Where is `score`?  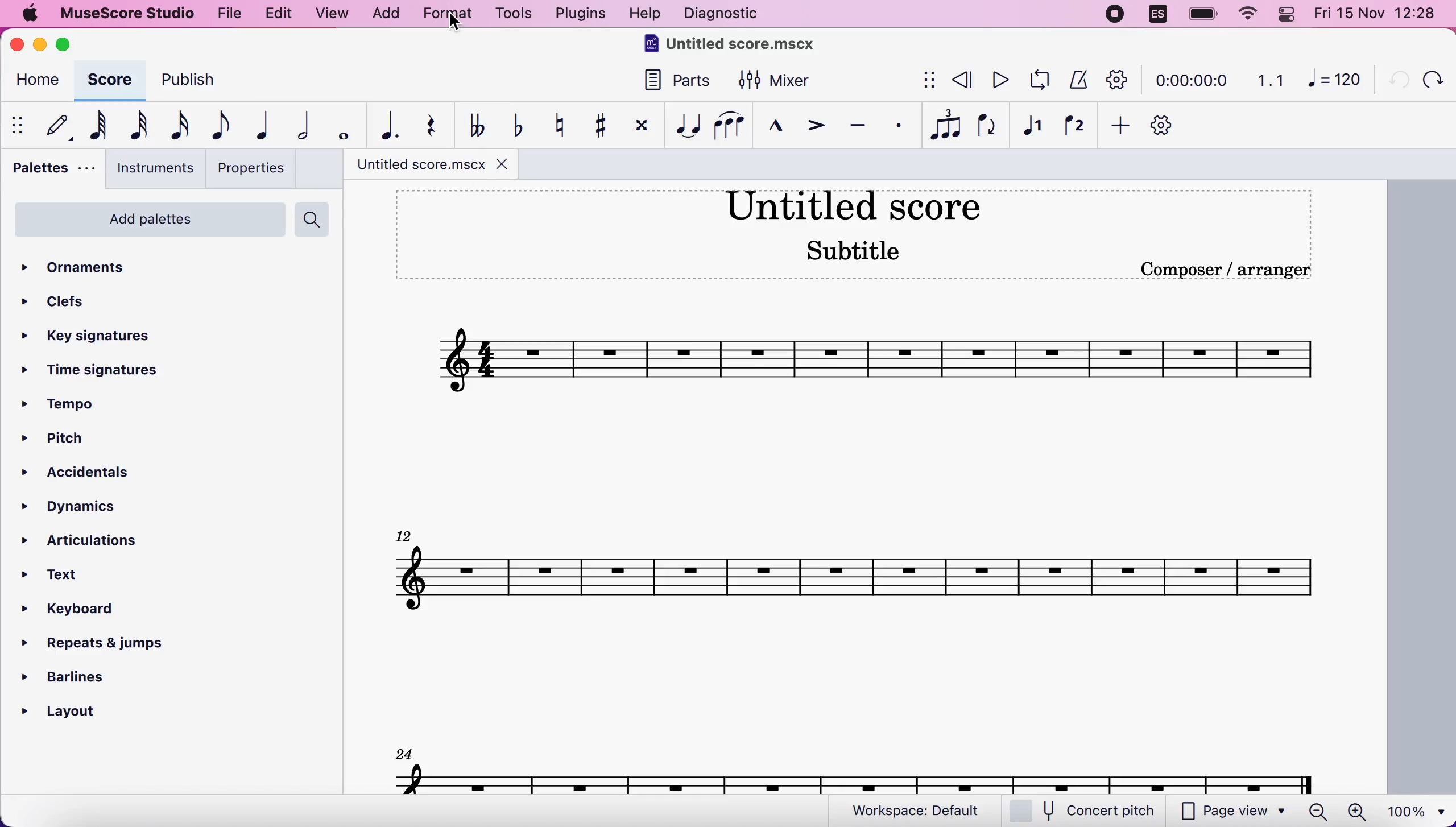
score is located at coordinates (855, 577).